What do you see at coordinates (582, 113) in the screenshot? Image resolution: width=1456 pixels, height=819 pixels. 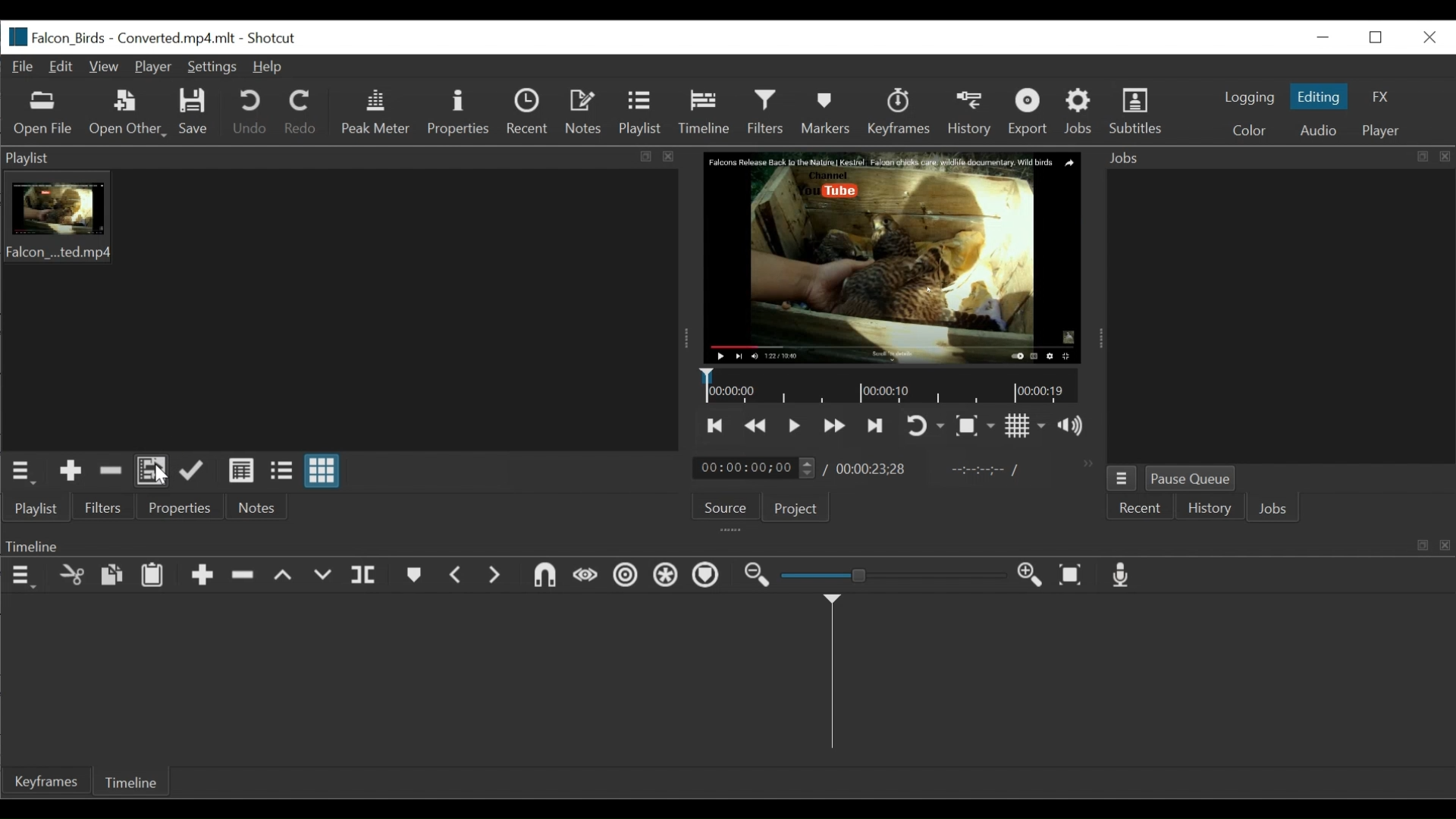 I see `Notes` at bounding box center [582, 113].